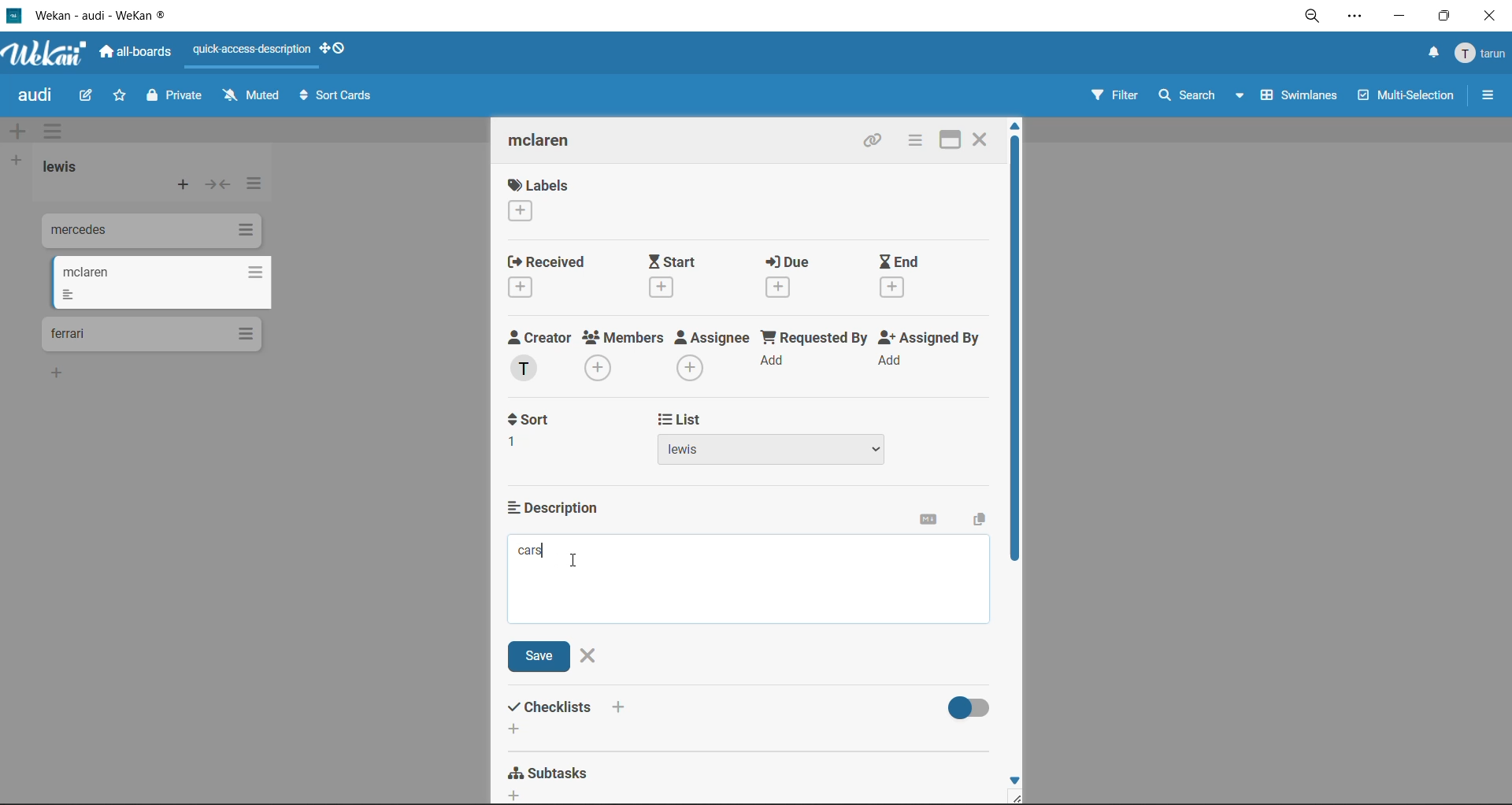  Describe the element at coordinates (777, 440) in the screenshot. I see `list` at that location.